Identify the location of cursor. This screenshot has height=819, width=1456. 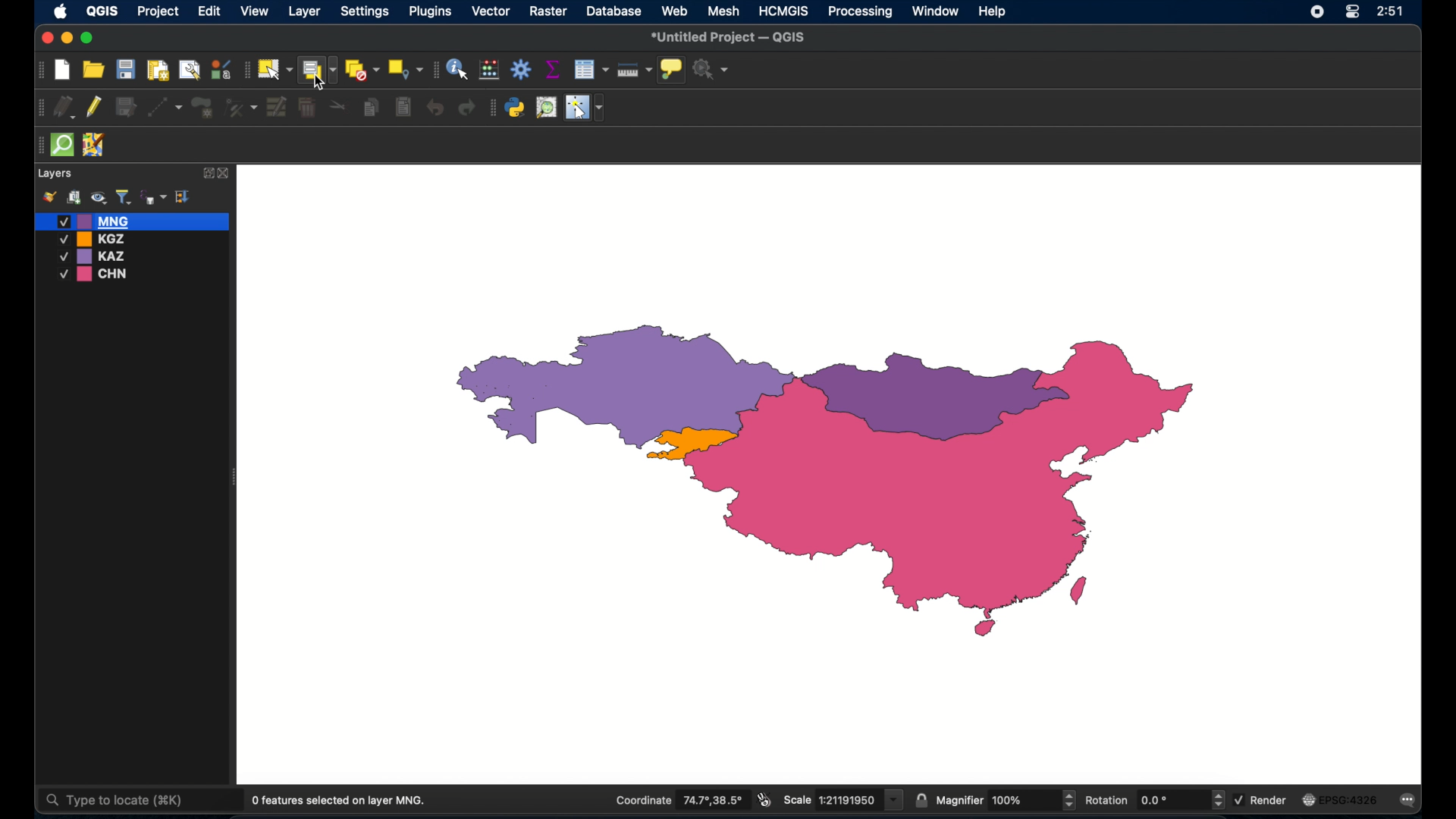
(318, 83).